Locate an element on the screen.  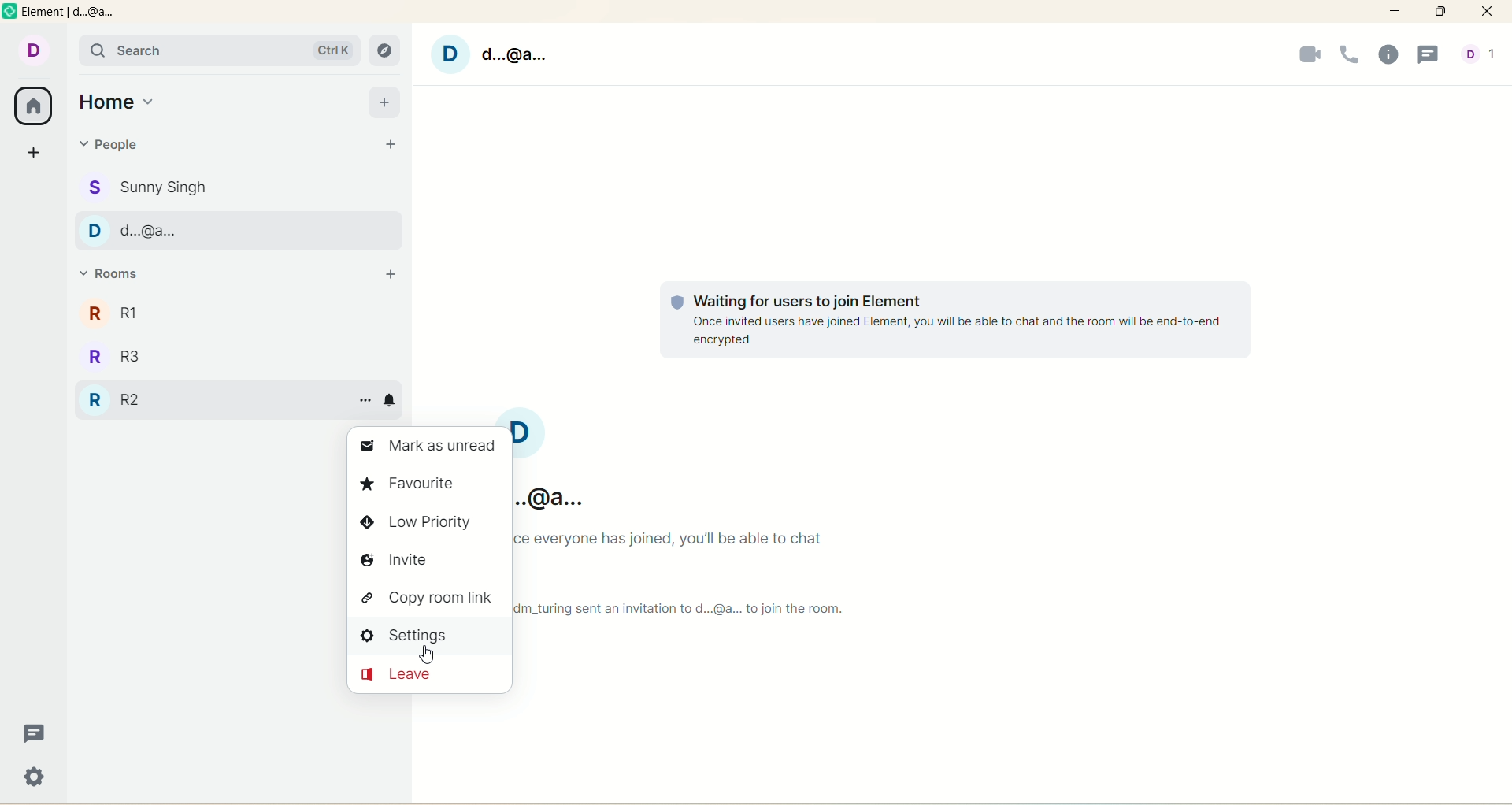
voice call is located at coordinates (1350, 54).